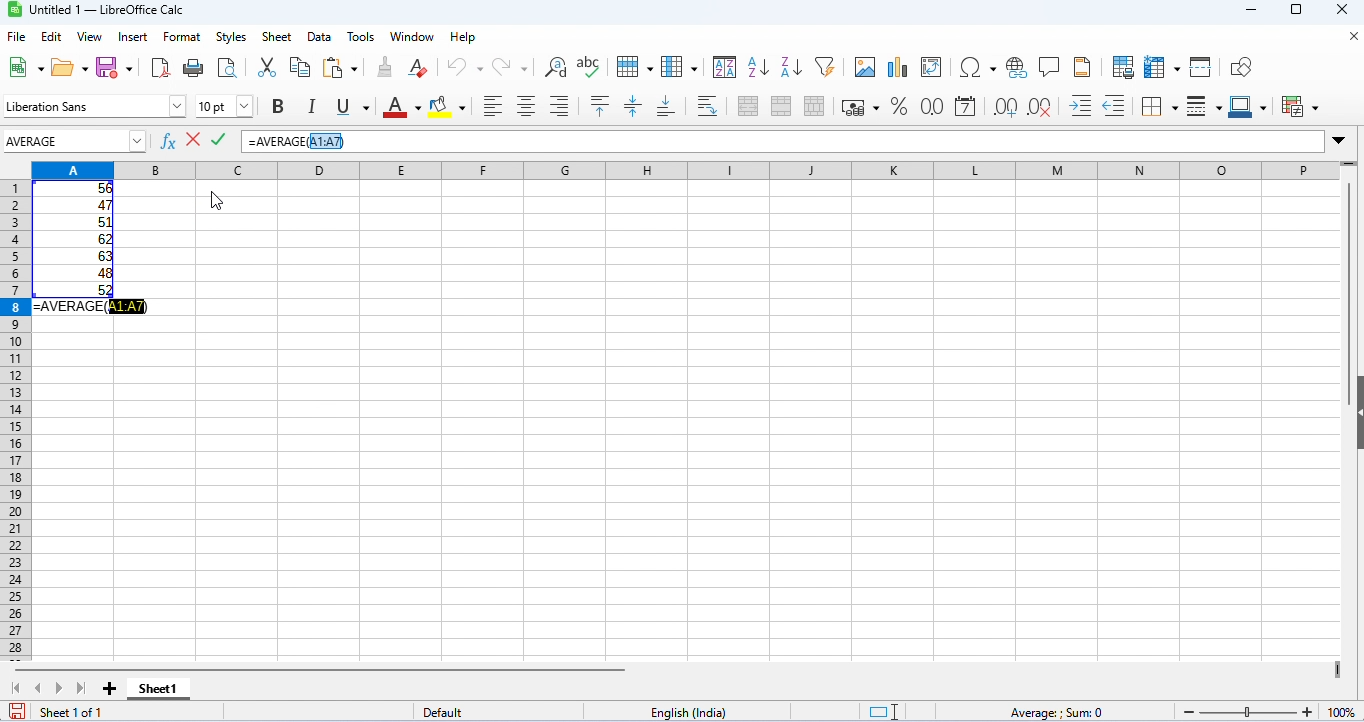 The height and width of the screenshot is (722, 1364). I want to click on edit, so click(52, 37).